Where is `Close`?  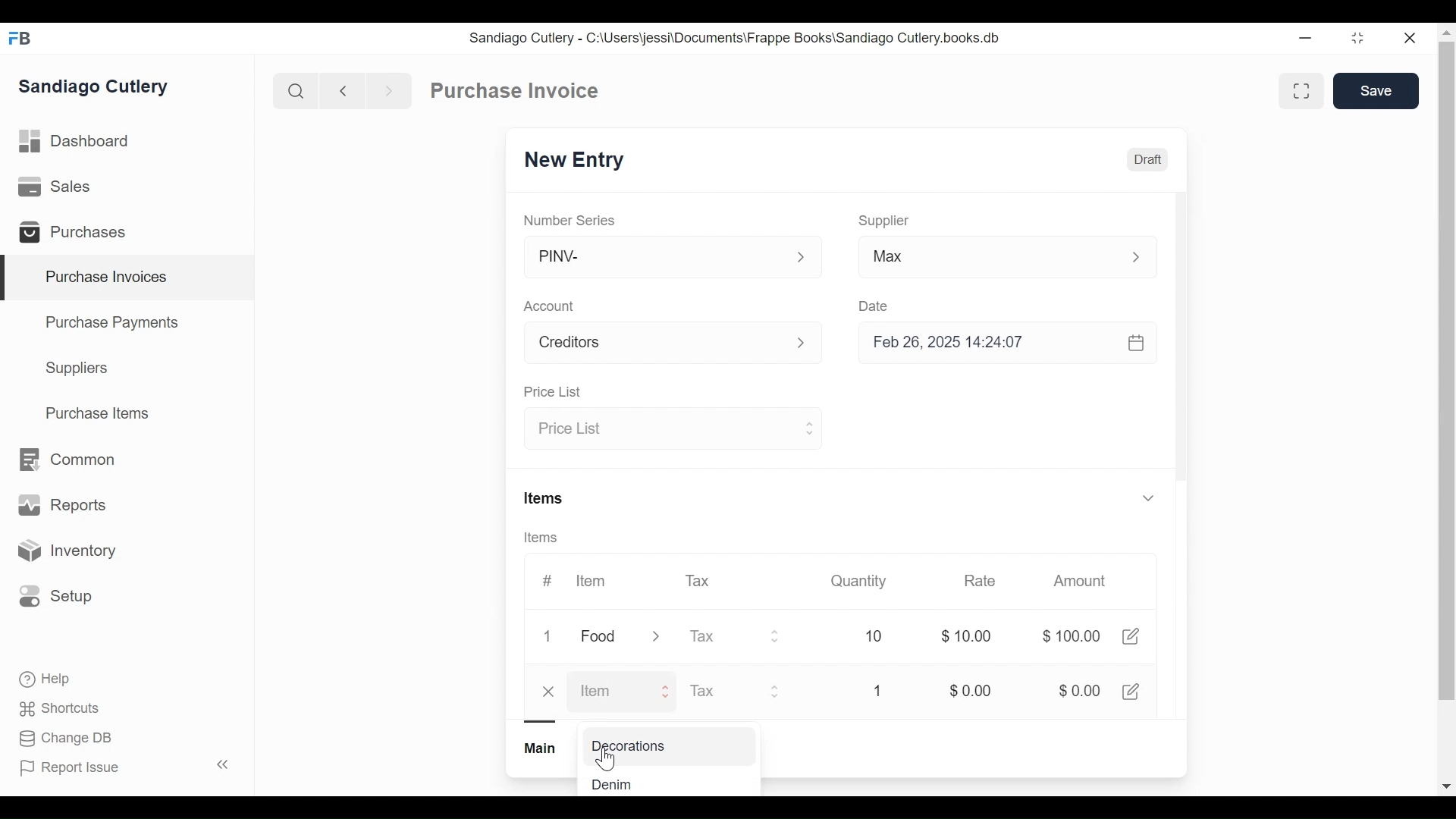 Close is located at coordinates (549, 692).